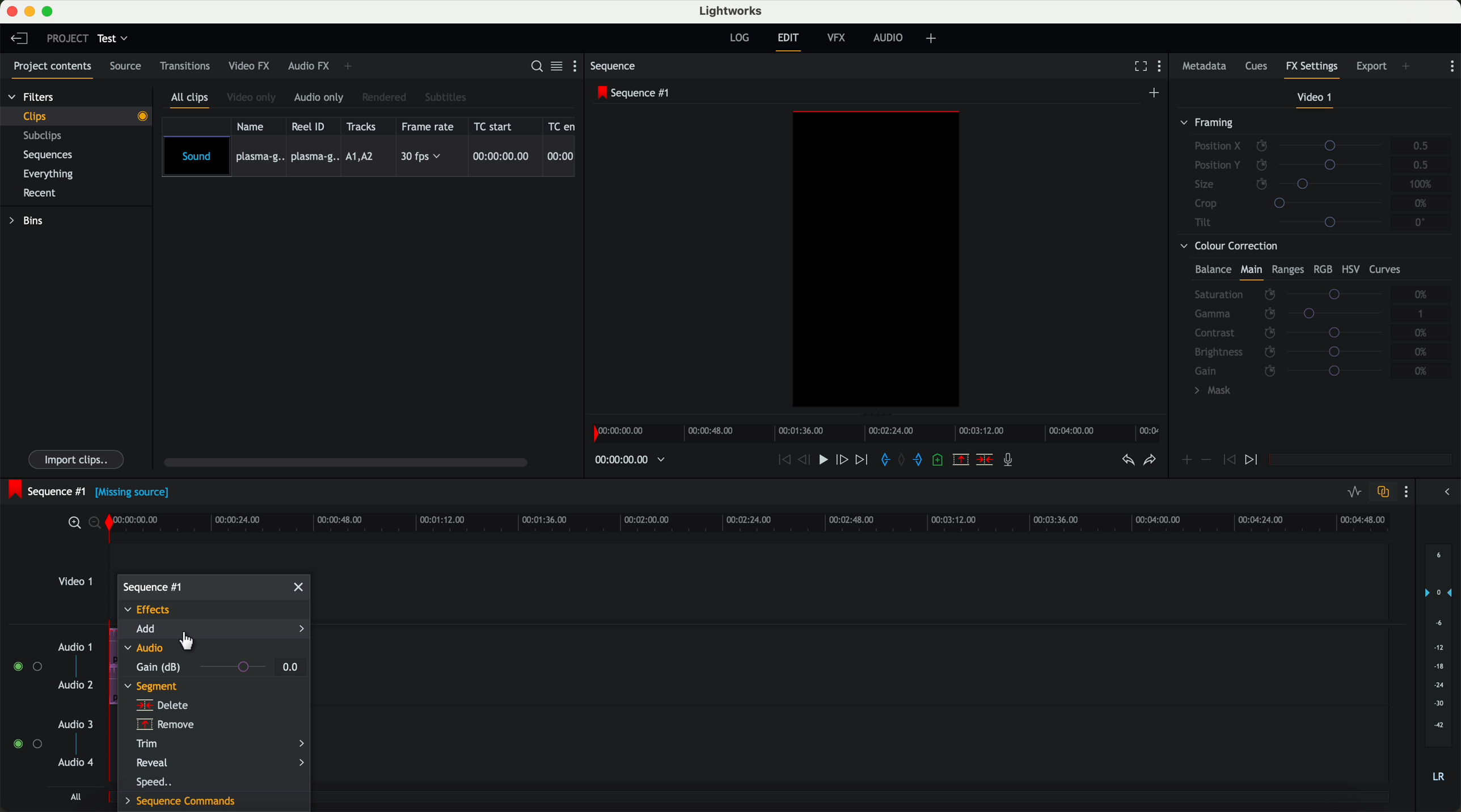  I want to click on colour correction, so click(1310, 322).